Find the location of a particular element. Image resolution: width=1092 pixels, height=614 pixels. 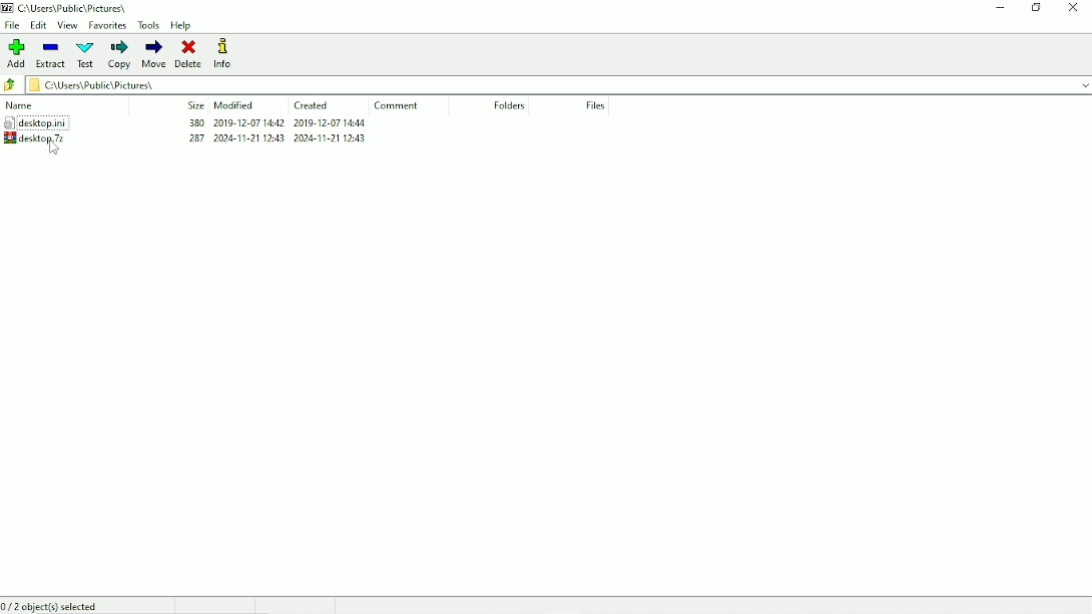

Created is located at coordinates (311, 105).